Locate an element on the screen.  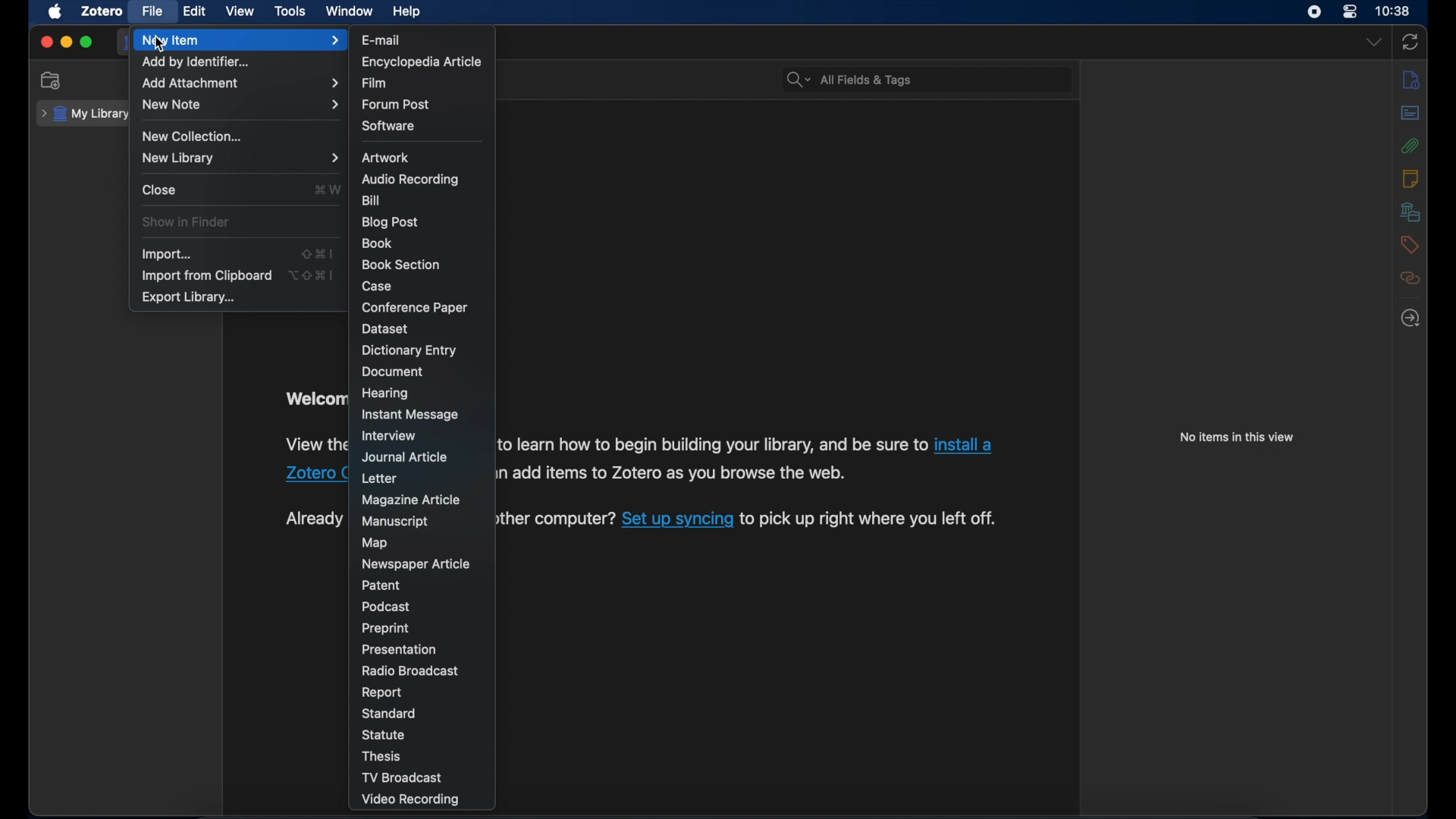
another computer is located at coordinates (555, 518).